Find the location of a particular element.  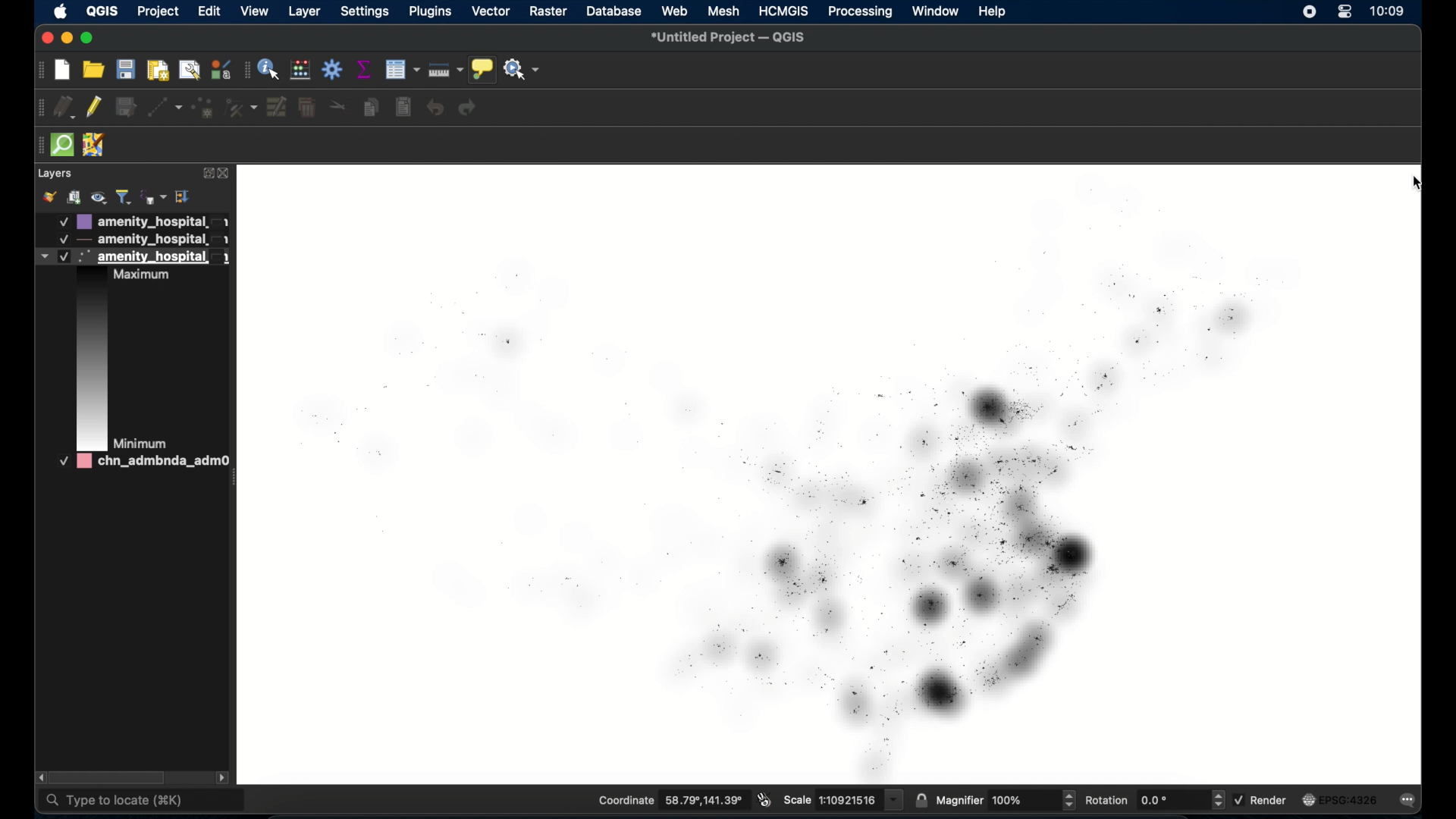

processing is located at coordinates (859, 12).